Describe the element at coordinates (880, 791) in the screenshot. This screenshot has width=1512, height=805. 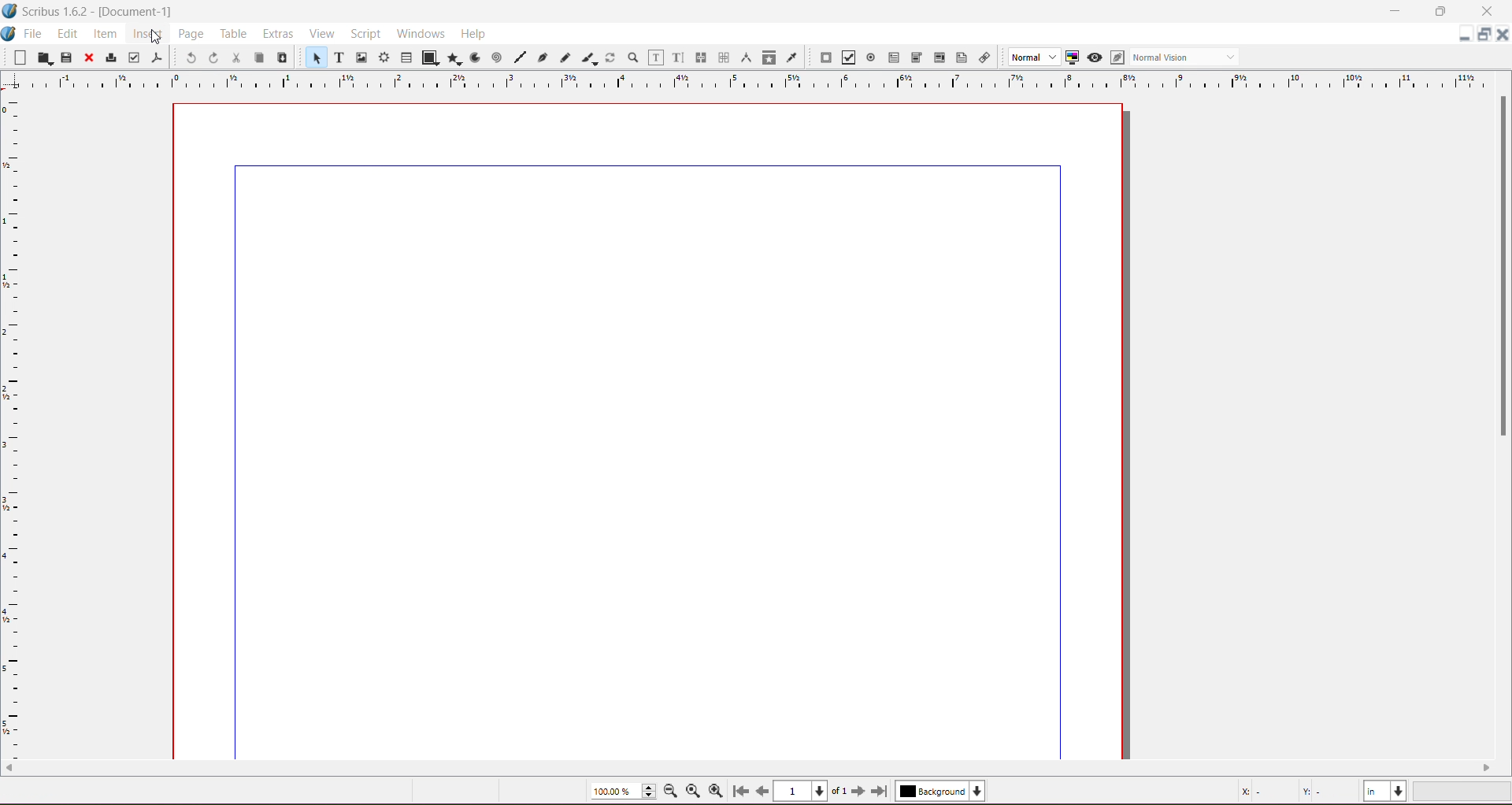
I see `Go to last page` at that location.